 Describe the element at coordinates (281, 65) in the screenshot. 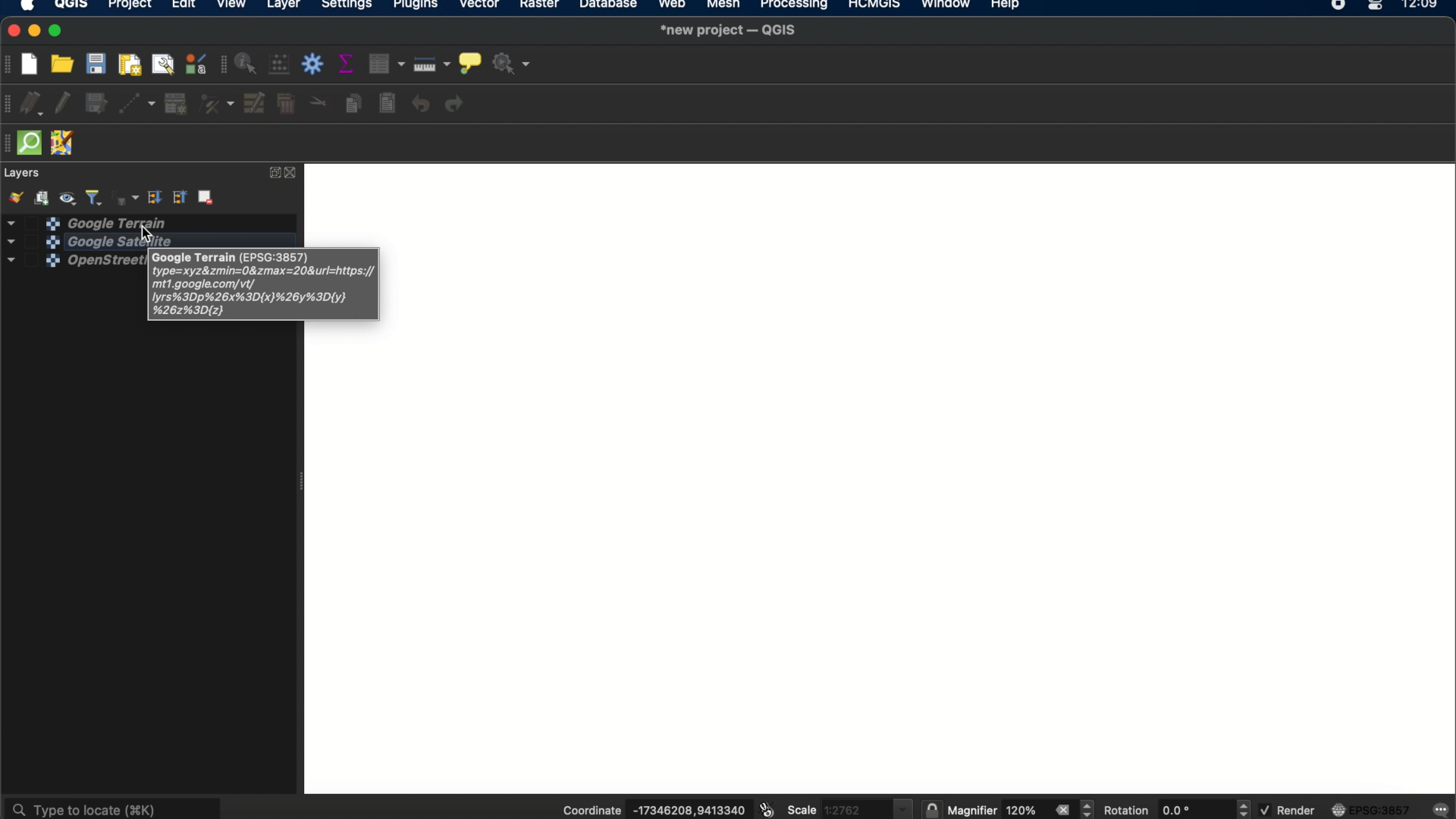

I see `open field calculator` at that location.